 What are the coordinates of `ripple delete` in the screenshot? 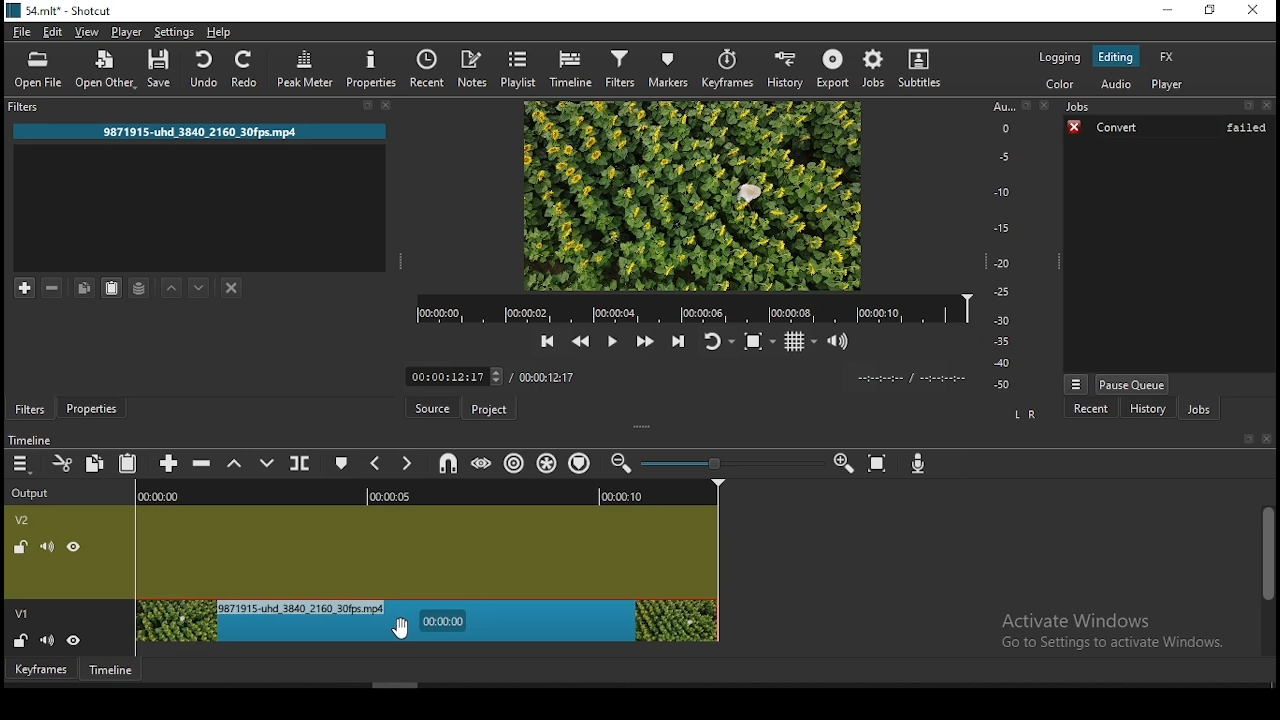 It's located at (202, 464).